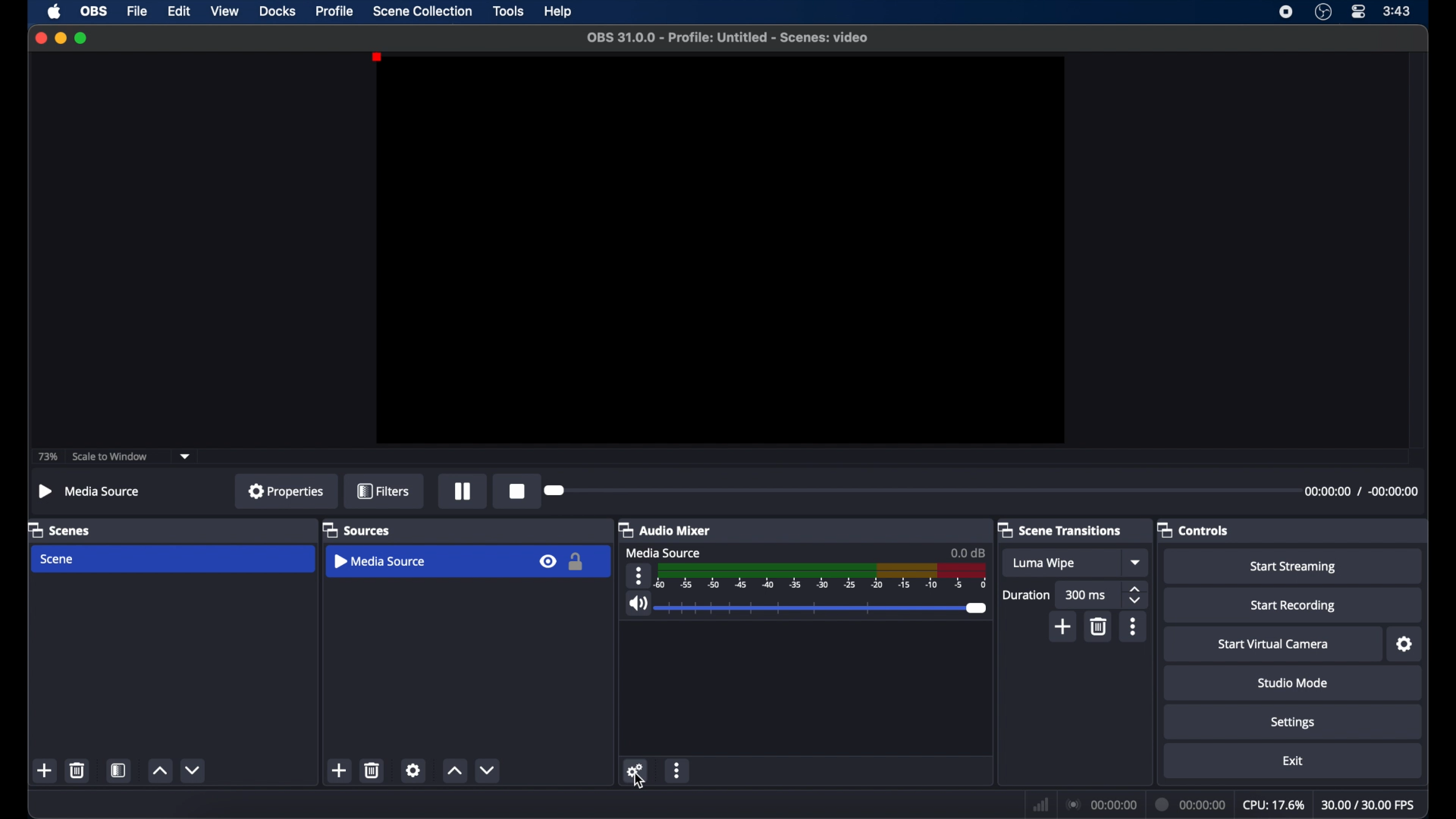  I want to click on apple icon, so click(55, 11).